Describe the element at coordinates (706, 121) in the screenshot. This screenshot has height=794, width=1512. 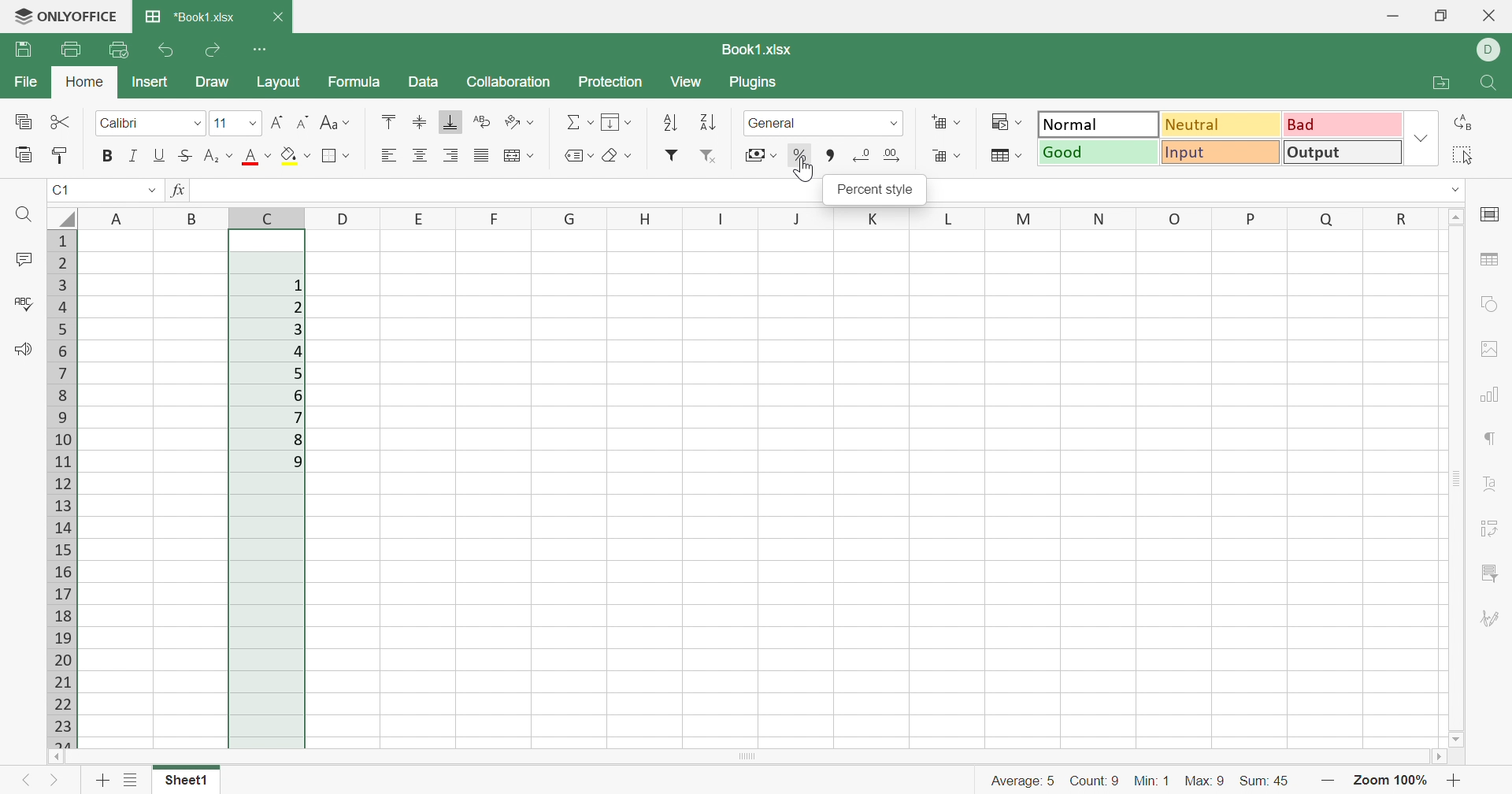
I see `Descending order` at that location.